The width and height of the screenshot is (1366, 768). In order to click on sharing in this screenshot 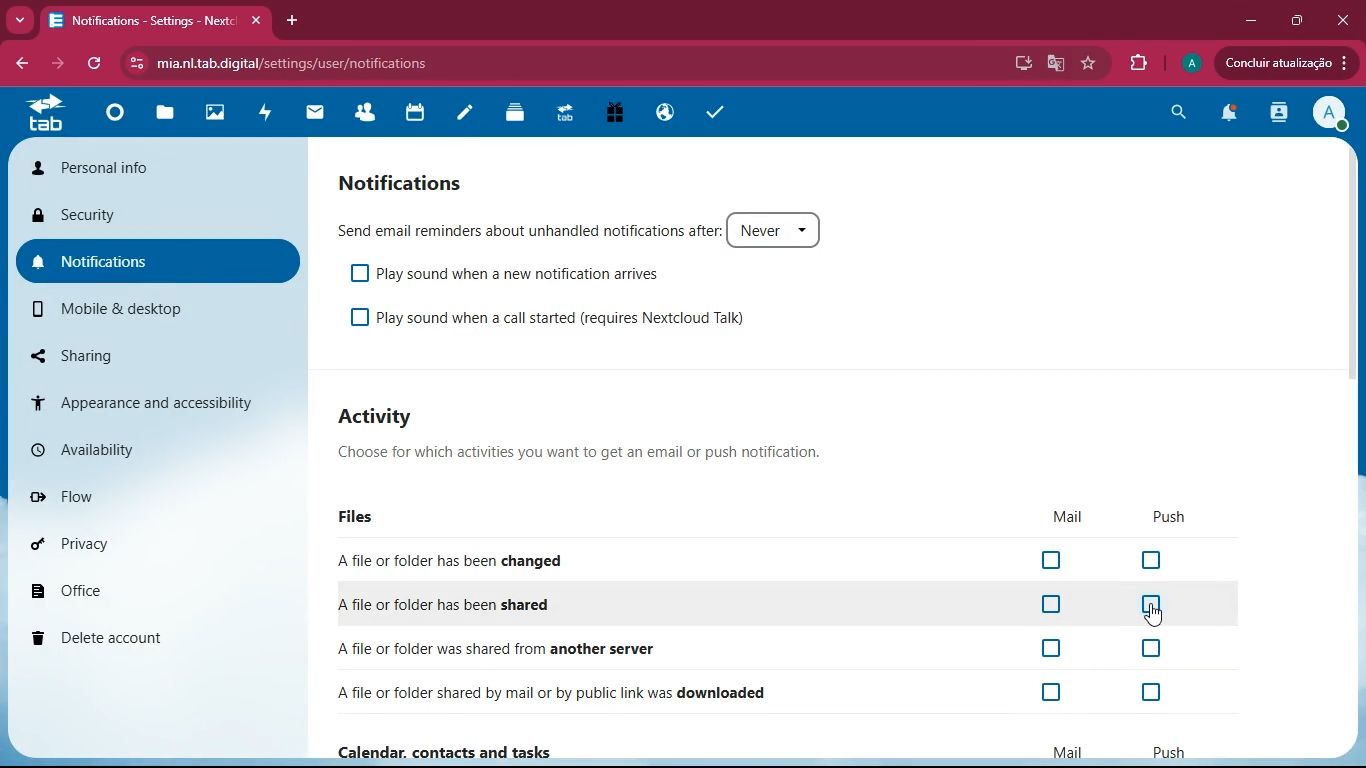, I will do `click(120, 351)`.